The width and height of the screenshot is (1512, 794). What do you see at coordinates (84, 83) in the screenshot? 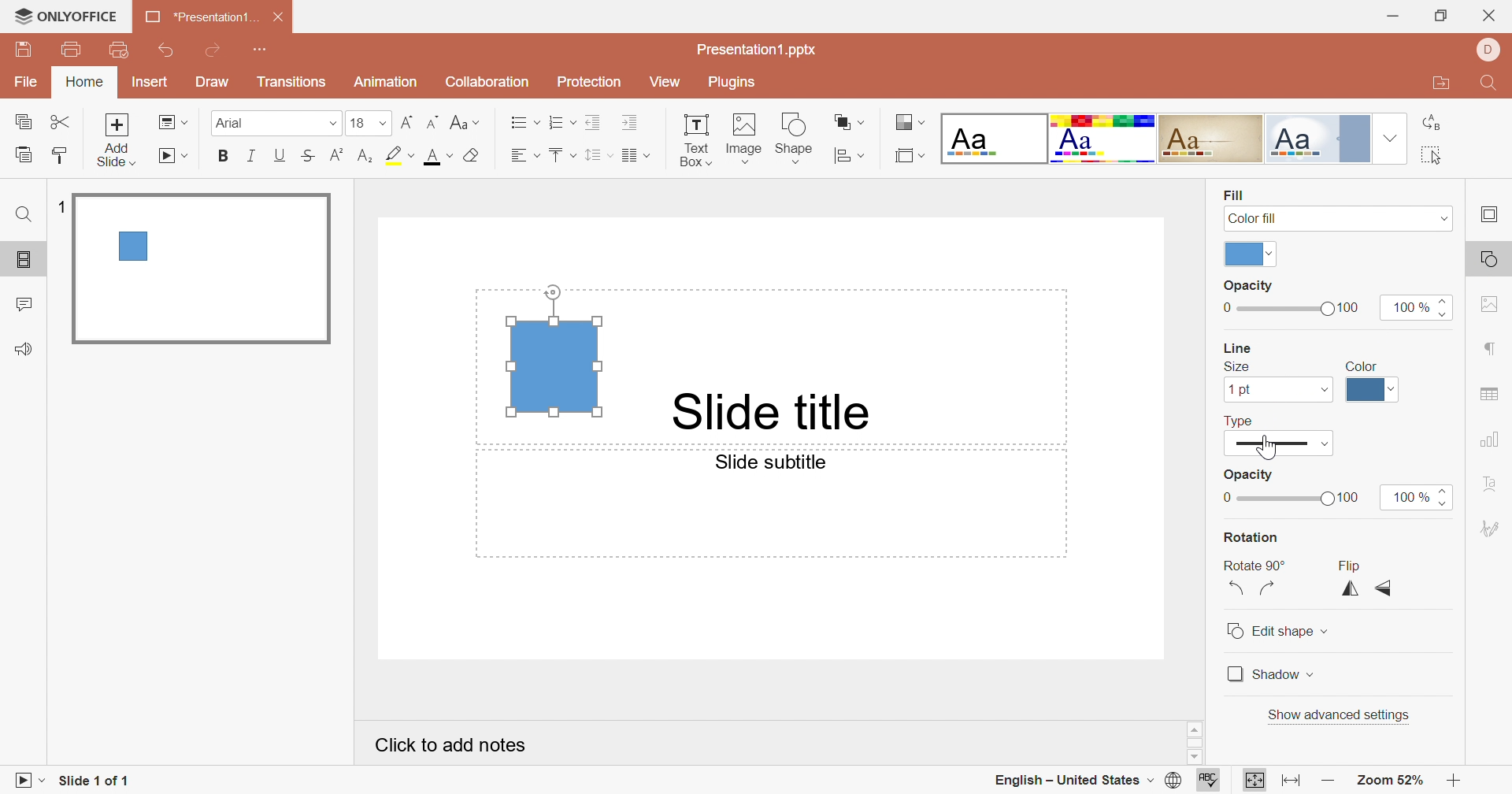
I see `Home` at bounding box center [84, 83].